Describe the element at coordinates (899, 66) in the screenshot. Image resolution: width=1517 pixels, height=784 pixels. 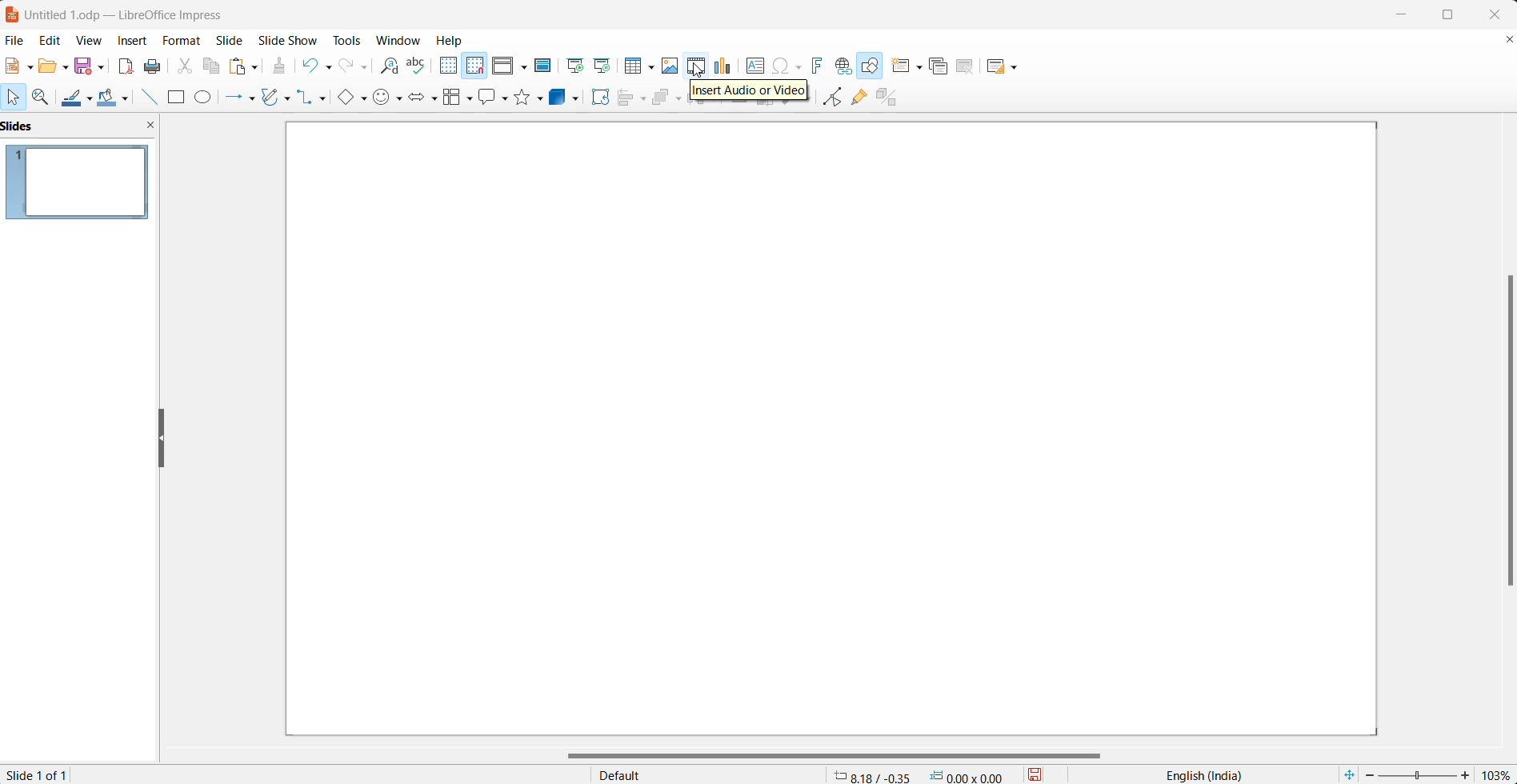
I see `new slide` at that location.